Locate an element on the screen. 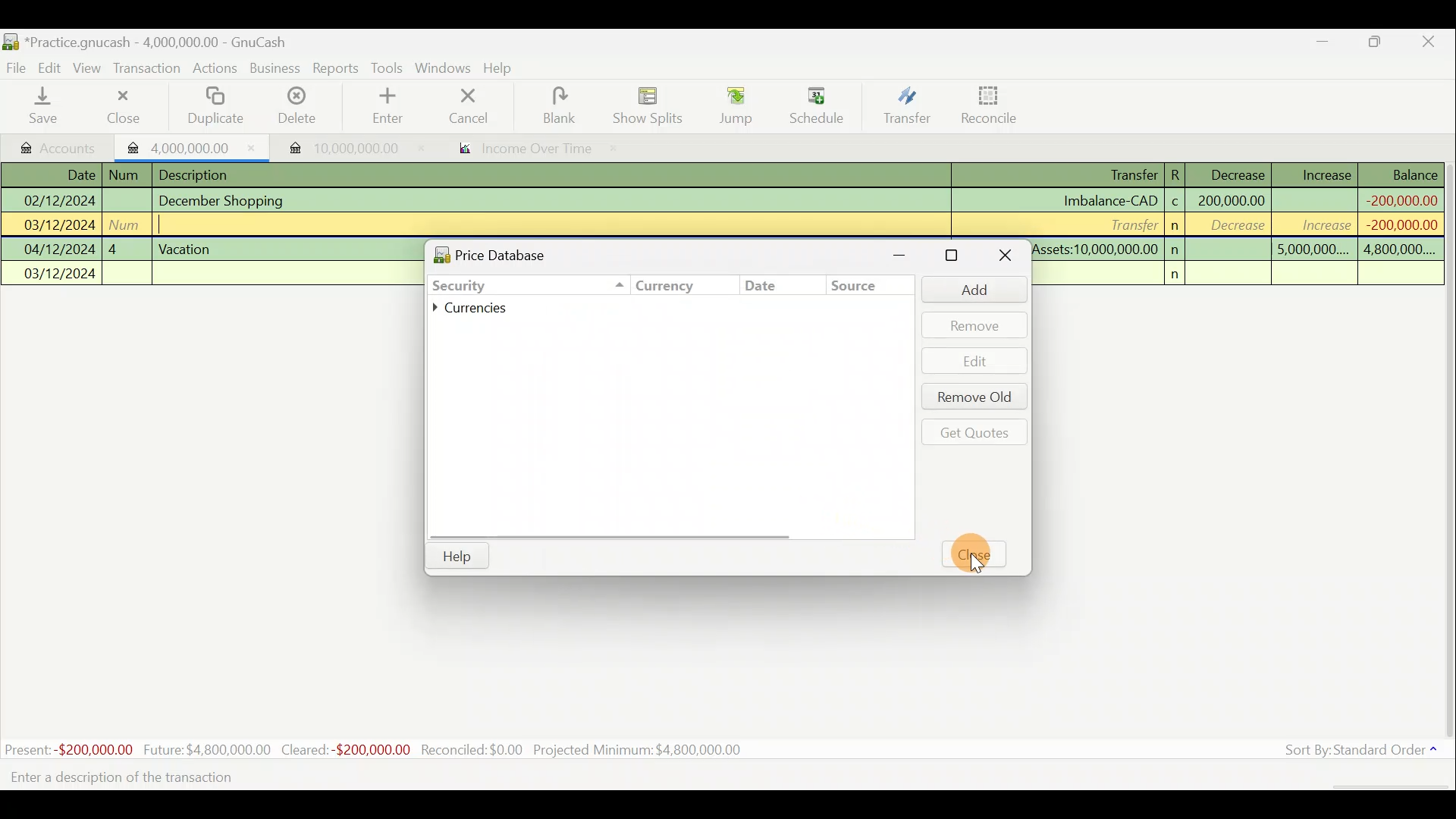 The height and width of the screenshot is (819, 1456). Business is located at coordinates (276, 68).